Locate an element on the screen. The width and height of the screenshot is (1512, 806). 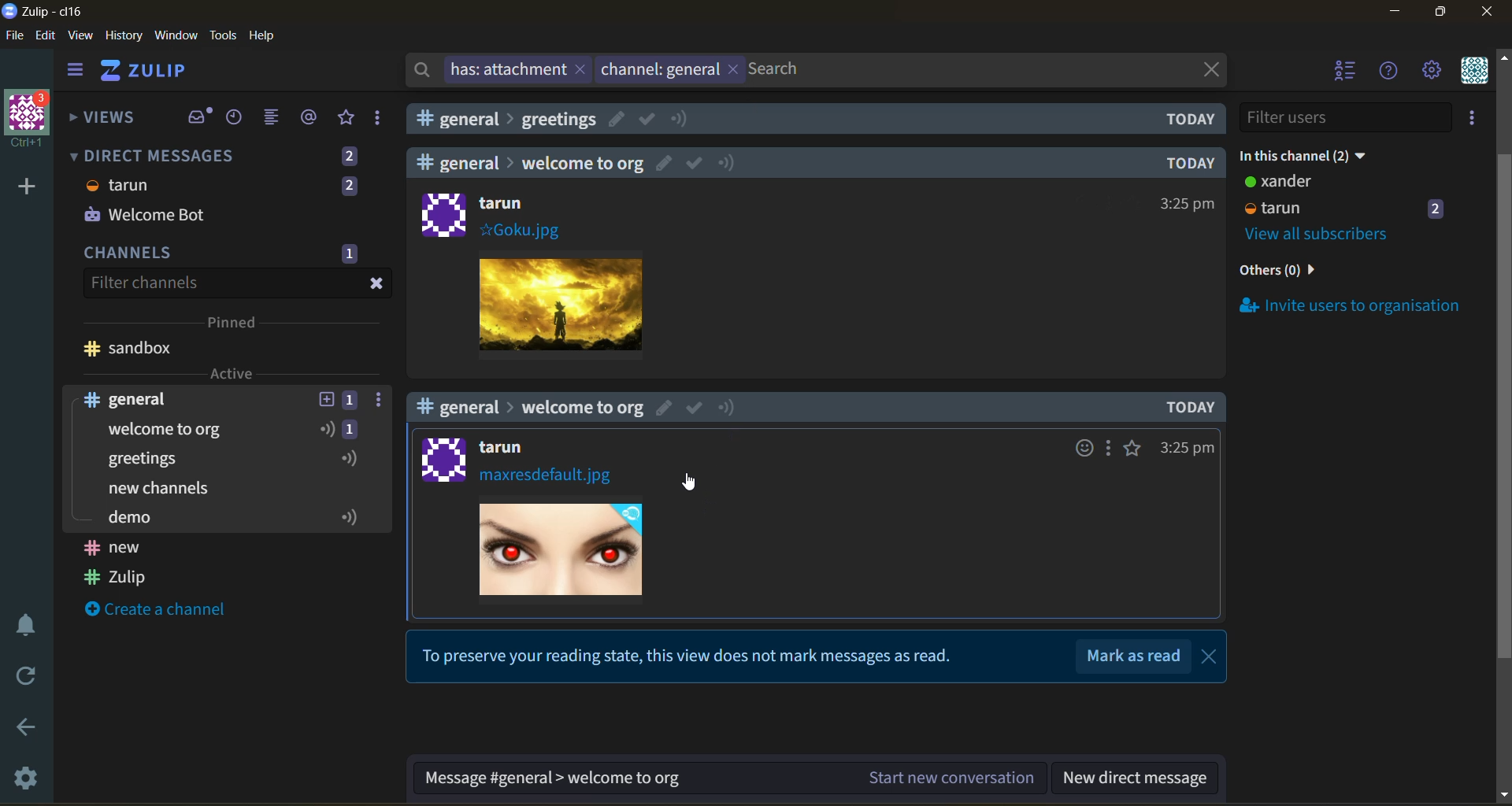
close is located at coordinates (1489, 12).